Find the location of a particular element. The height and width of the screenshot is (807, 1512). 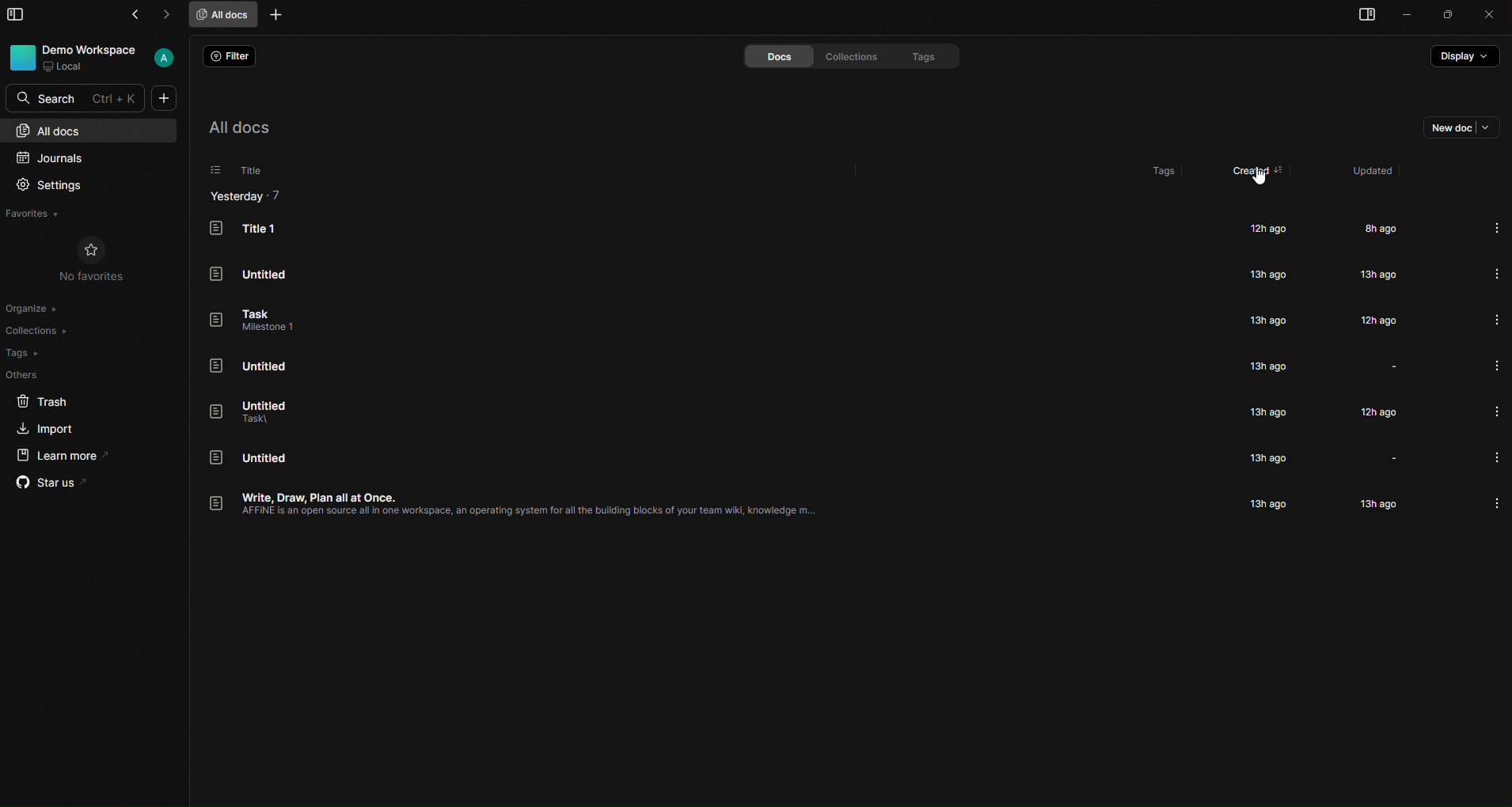

13h ago is located at coordinates (1269, 499).